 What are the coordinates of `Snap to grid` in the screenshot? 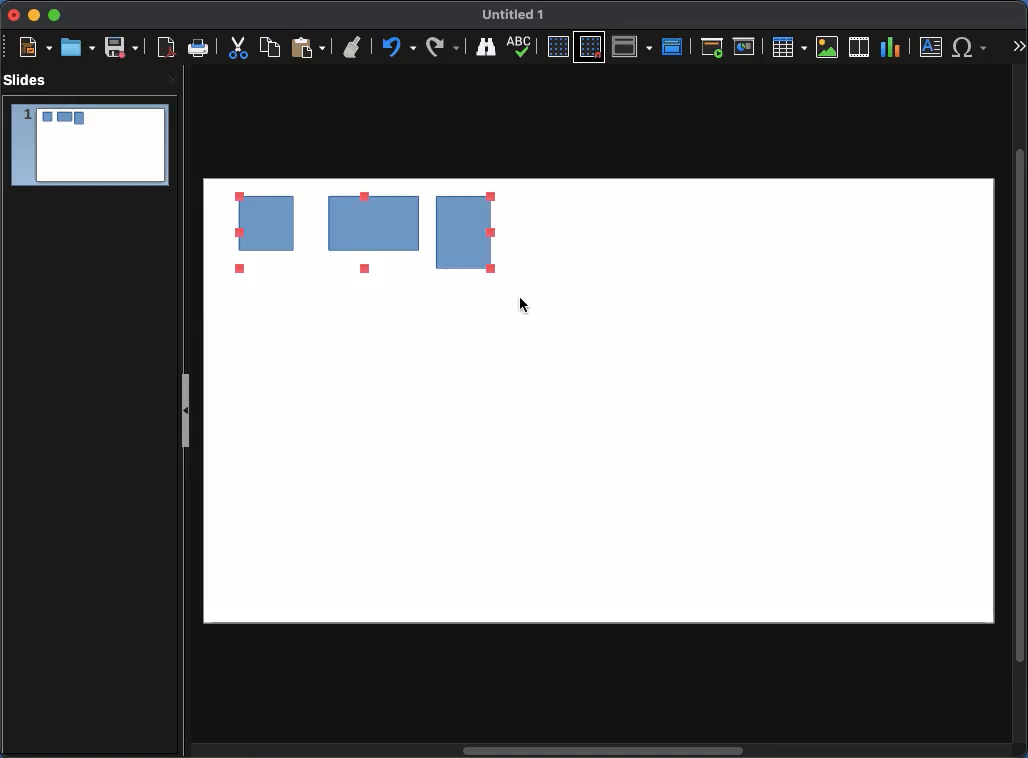 It's located at (590, 47).